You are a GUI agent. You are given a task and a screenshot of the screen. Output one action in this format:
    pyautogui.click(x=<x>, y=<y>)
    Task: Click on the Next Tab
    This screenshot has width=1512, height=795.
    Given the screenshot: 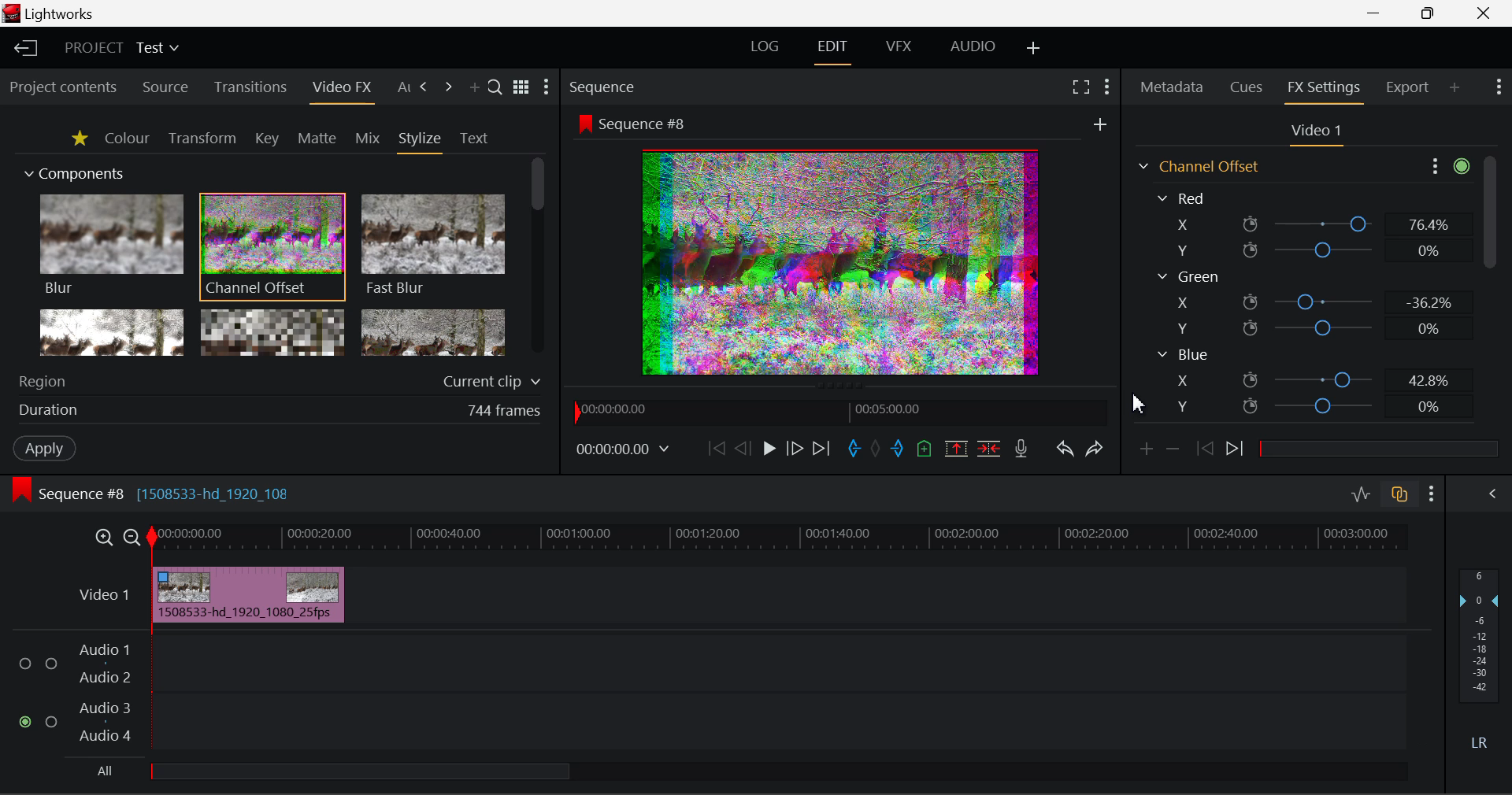 What is the action you would take?
    pyautogui.click(x=425, y=87)
    